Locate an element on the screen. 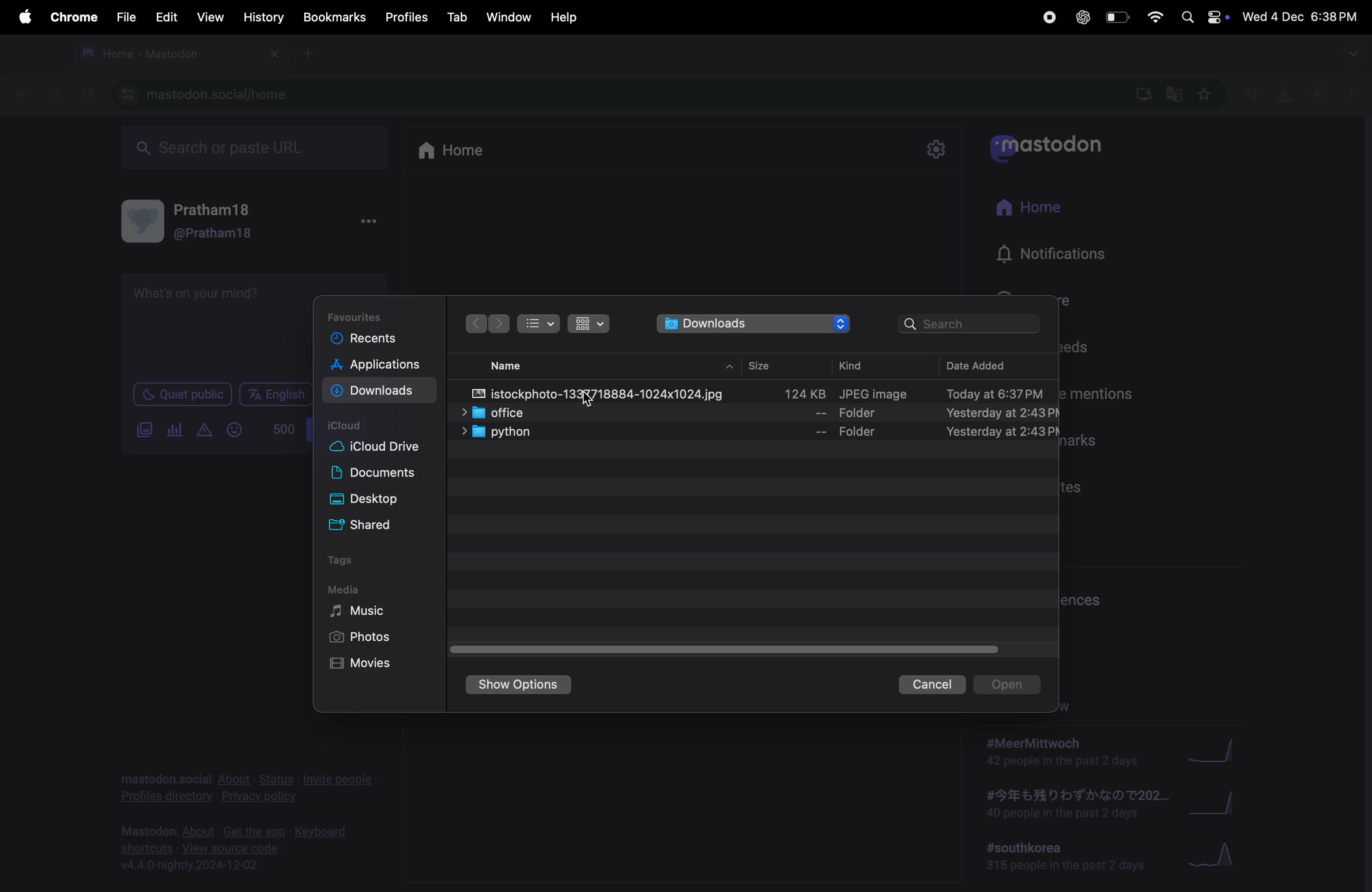 This screenshot has height=892, width=1372. music is located at coordinates (1252, 95).